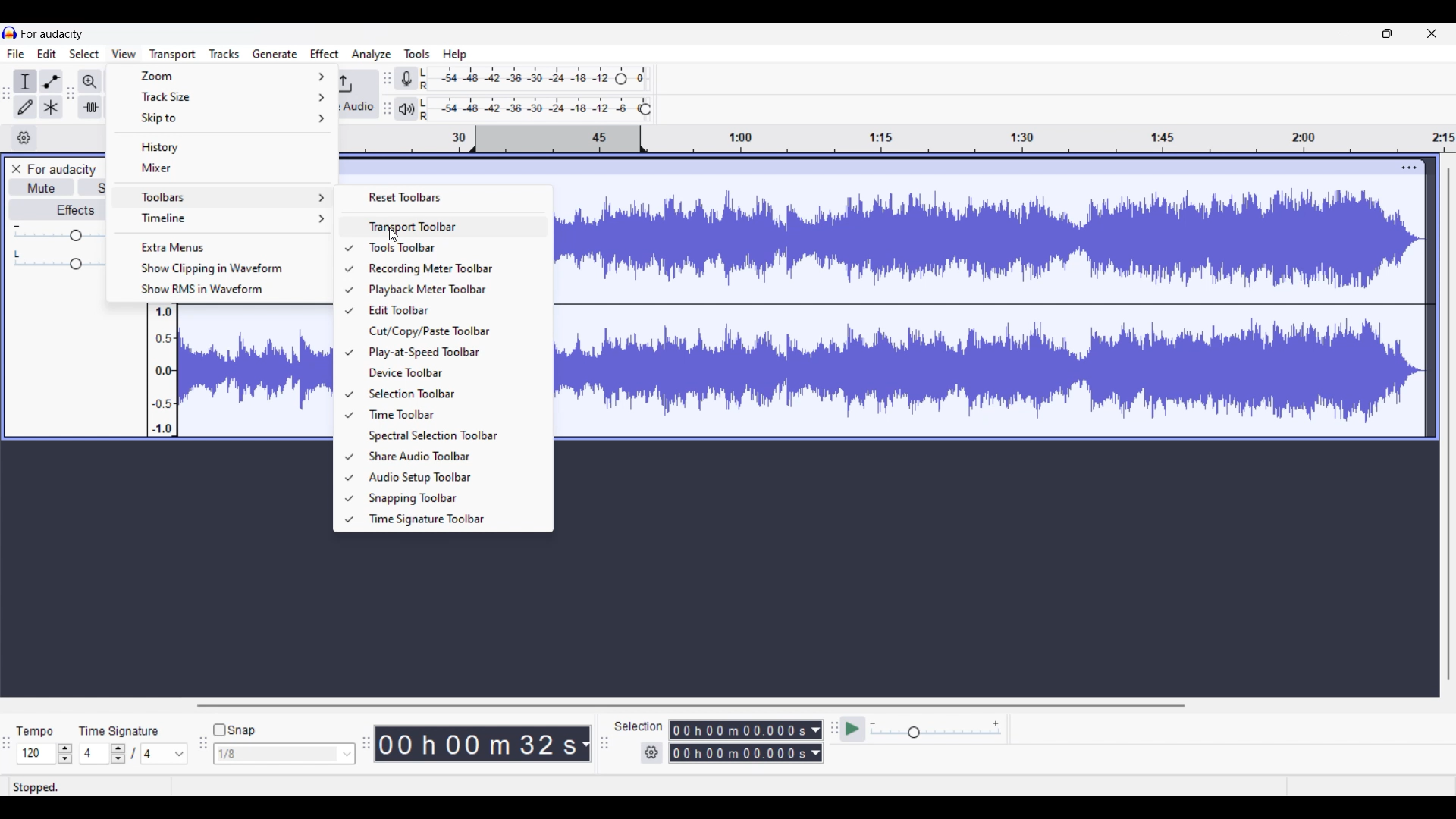 This screenshot has width=1456, height=819. What do you see at coordinates (443, 227) in the screenshot?
I see `Transport toolbars` at bounding box center [443, 227].